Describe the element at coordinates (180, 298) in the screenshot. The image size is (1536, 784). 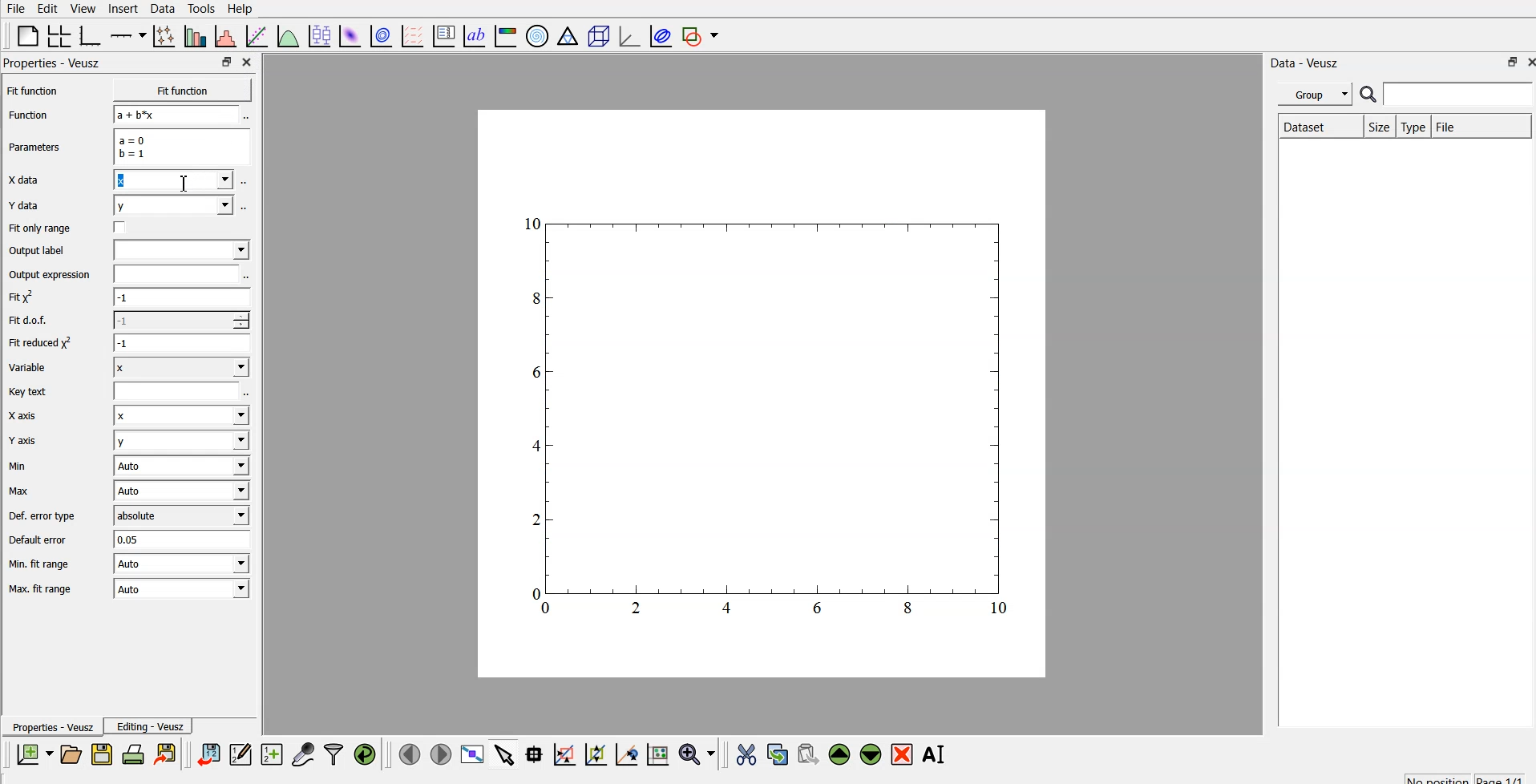
I see `-1` at that location.